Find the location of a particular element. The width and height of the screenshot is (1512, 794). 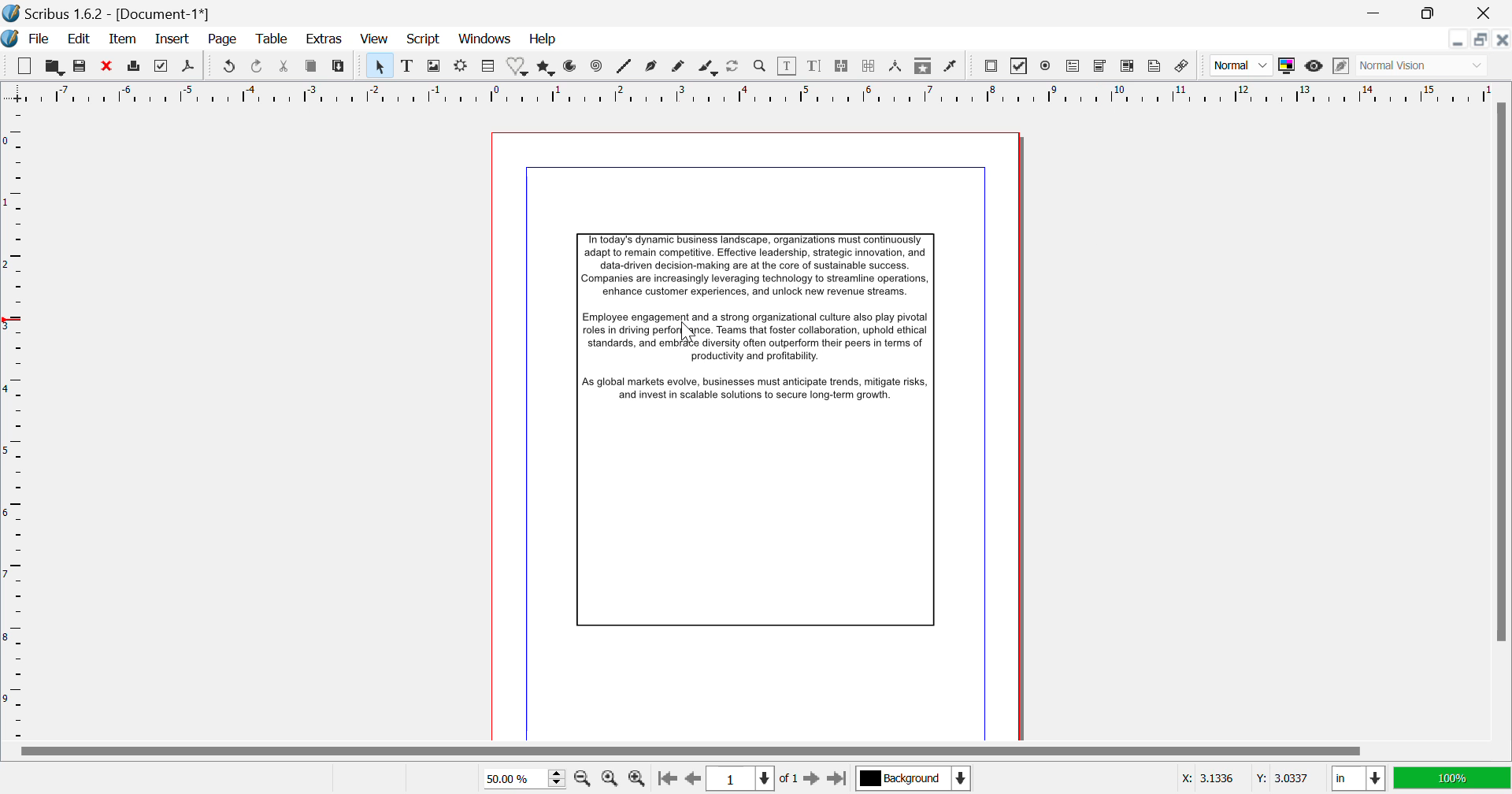

Meausrement Units is located at coordinates (1359, 779).